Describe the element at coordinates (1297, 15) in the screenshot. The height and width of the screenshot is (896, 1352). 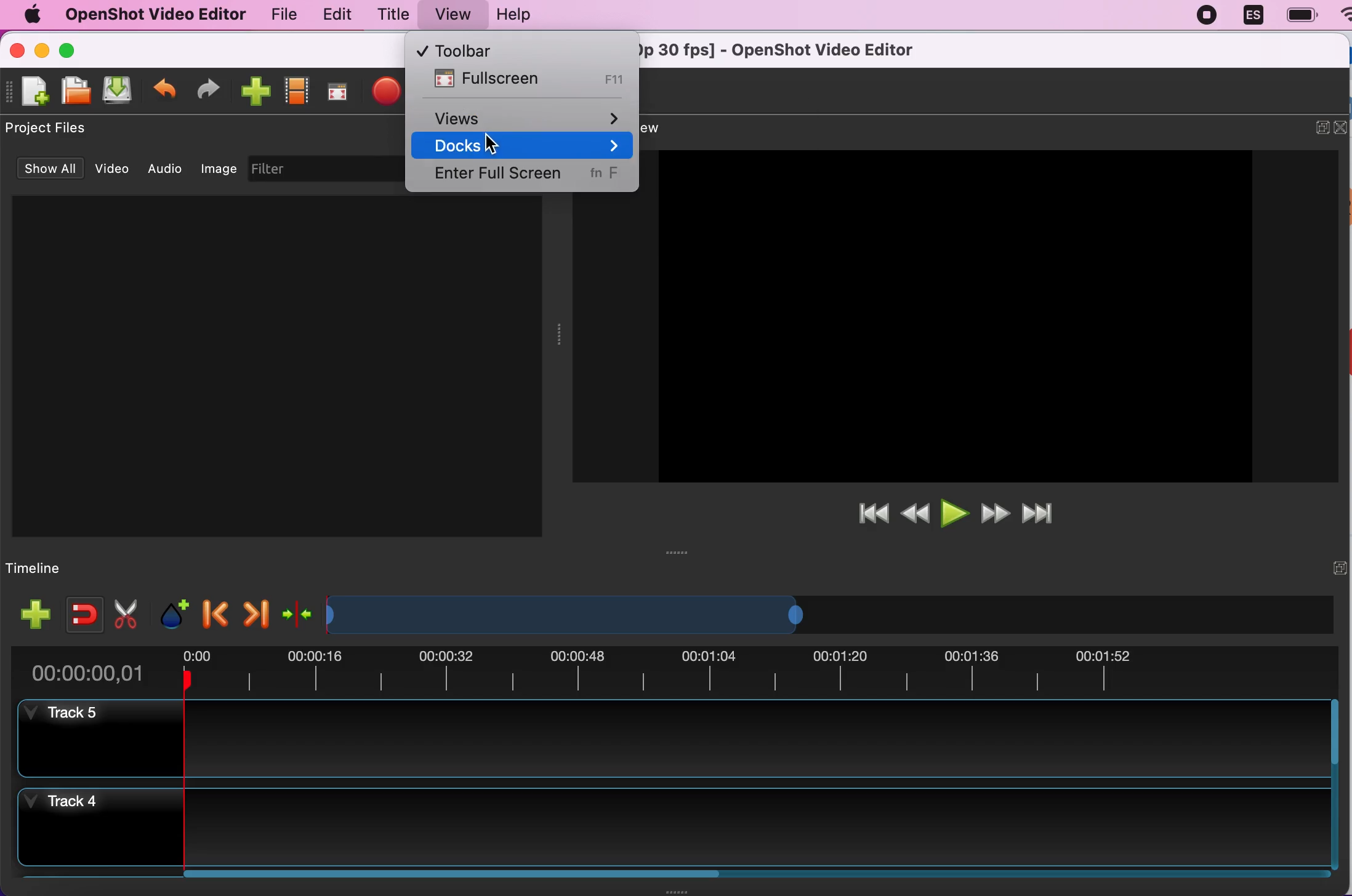
I see `battery` at that location.